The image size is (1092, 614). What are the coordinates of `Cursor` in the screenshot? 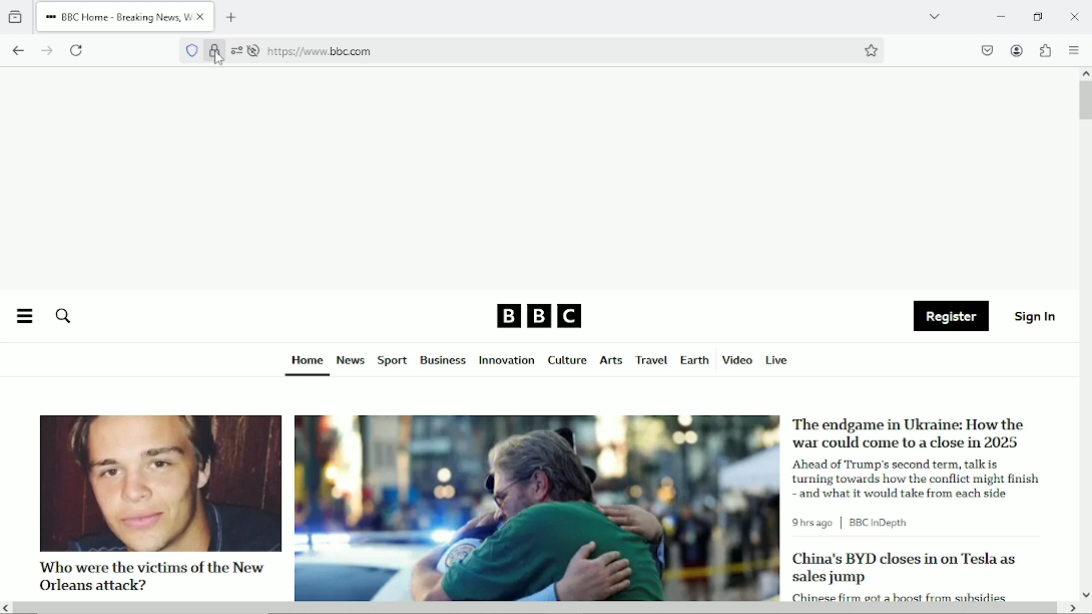 It's located at (219, 60).